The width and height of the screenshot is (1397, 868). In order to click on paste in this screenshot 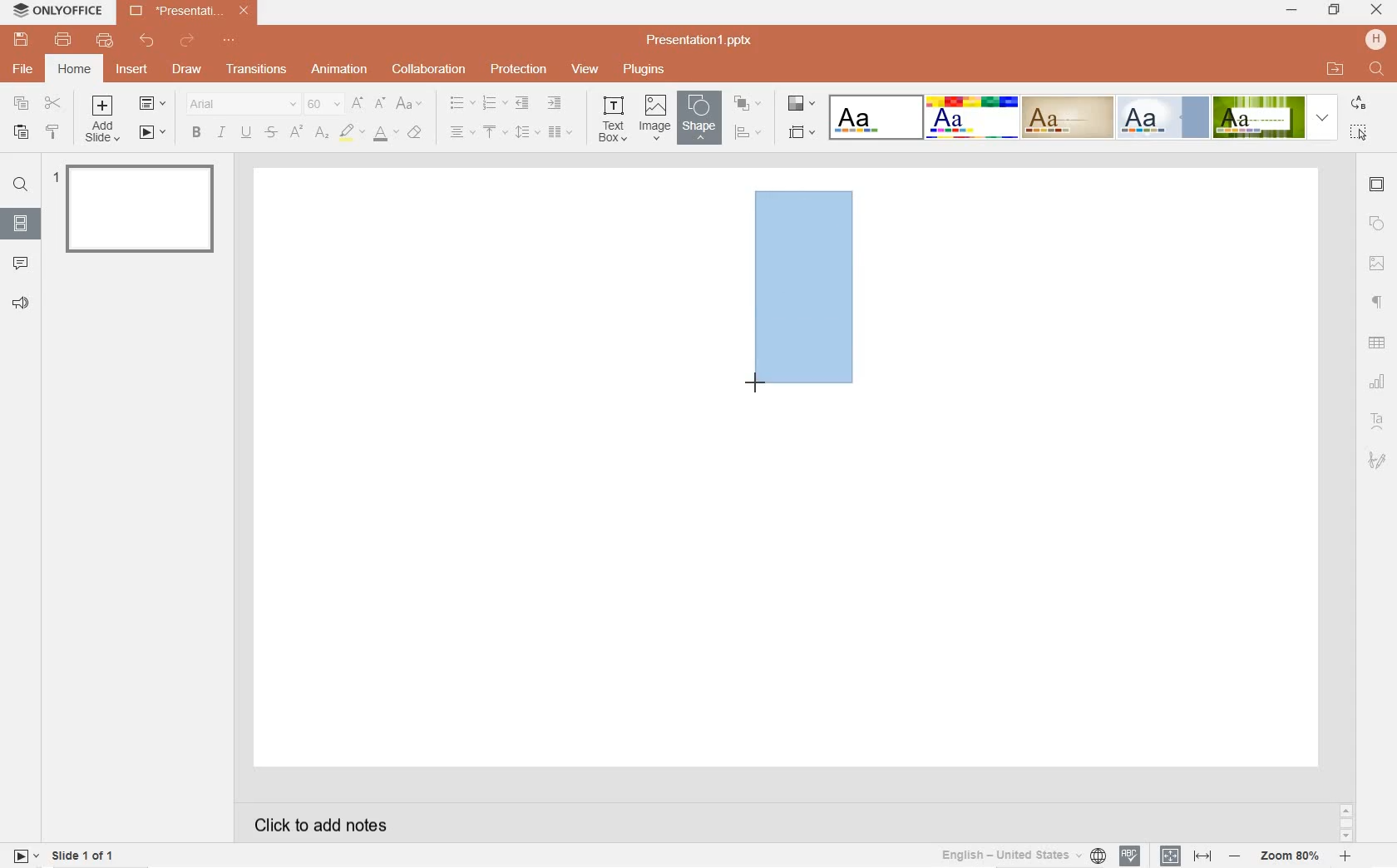, I will do `click(18, 133)`.